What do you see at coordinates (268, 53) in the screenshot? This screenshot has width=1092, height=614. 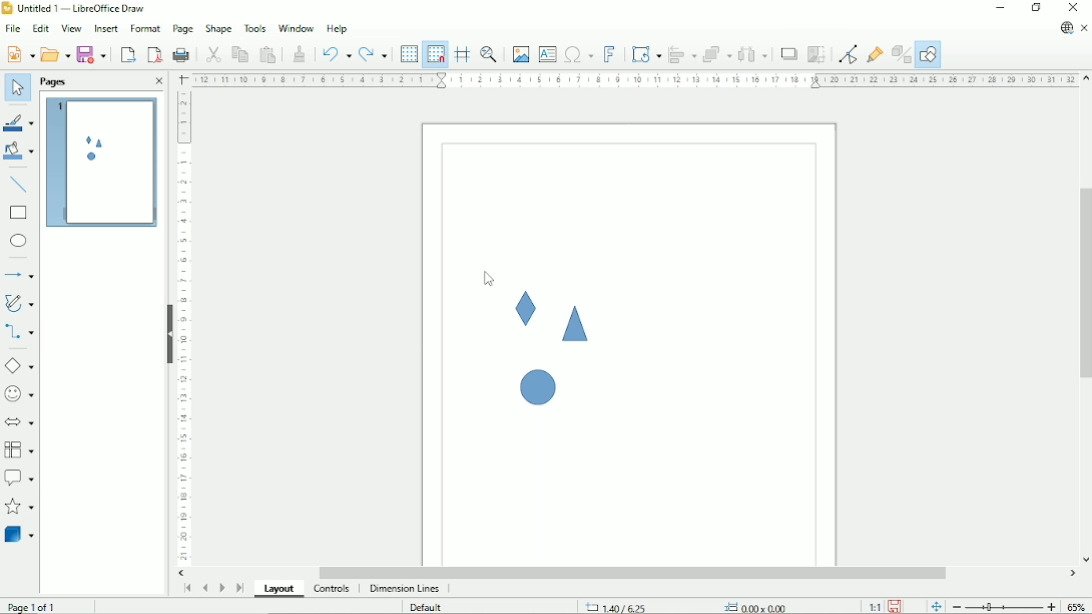 I see `Paste` at bounding box center [268, 53].